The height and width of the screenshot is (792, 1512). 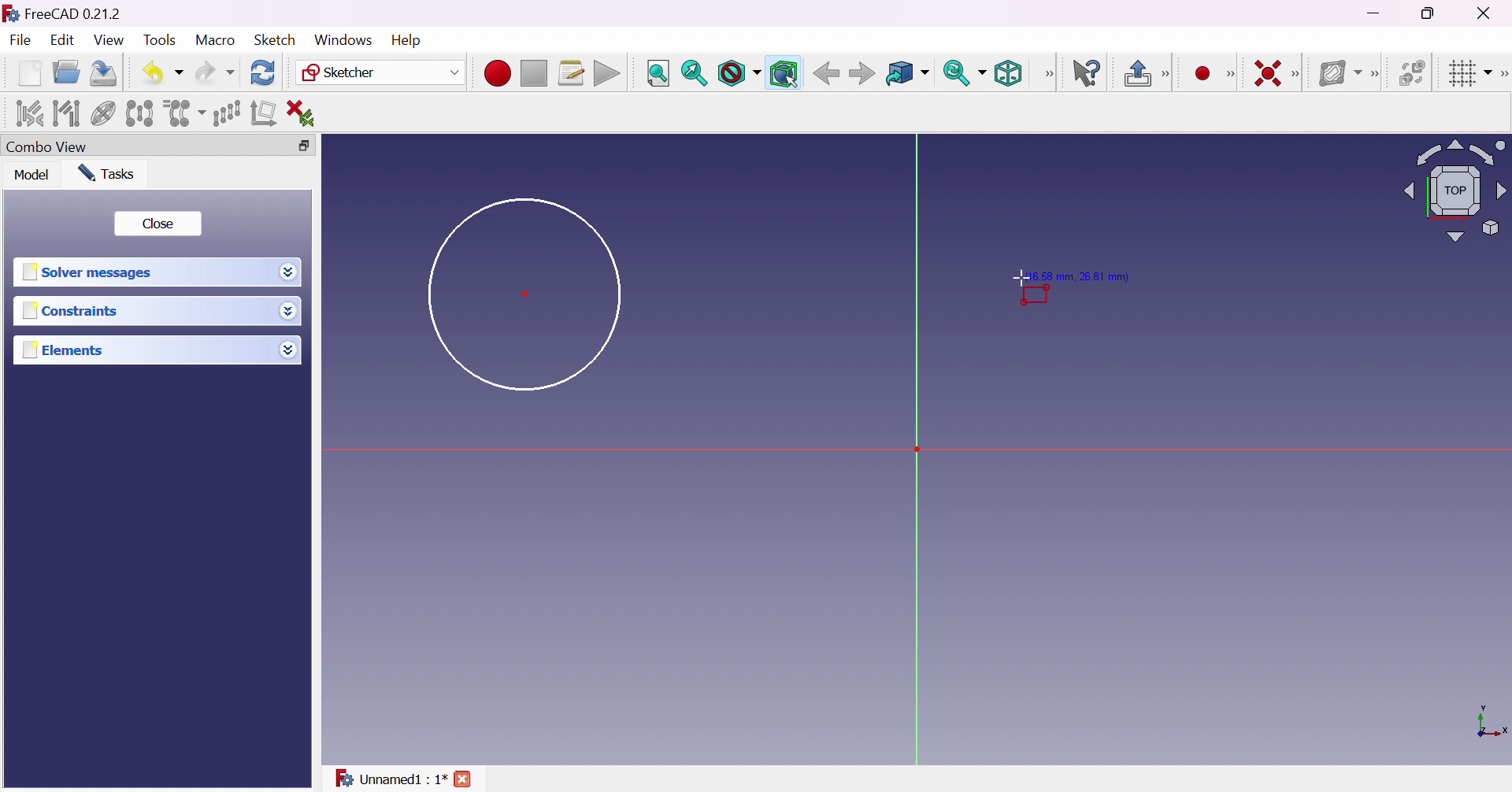 I want to click on Macro recording..., so click(x=497, y=71).